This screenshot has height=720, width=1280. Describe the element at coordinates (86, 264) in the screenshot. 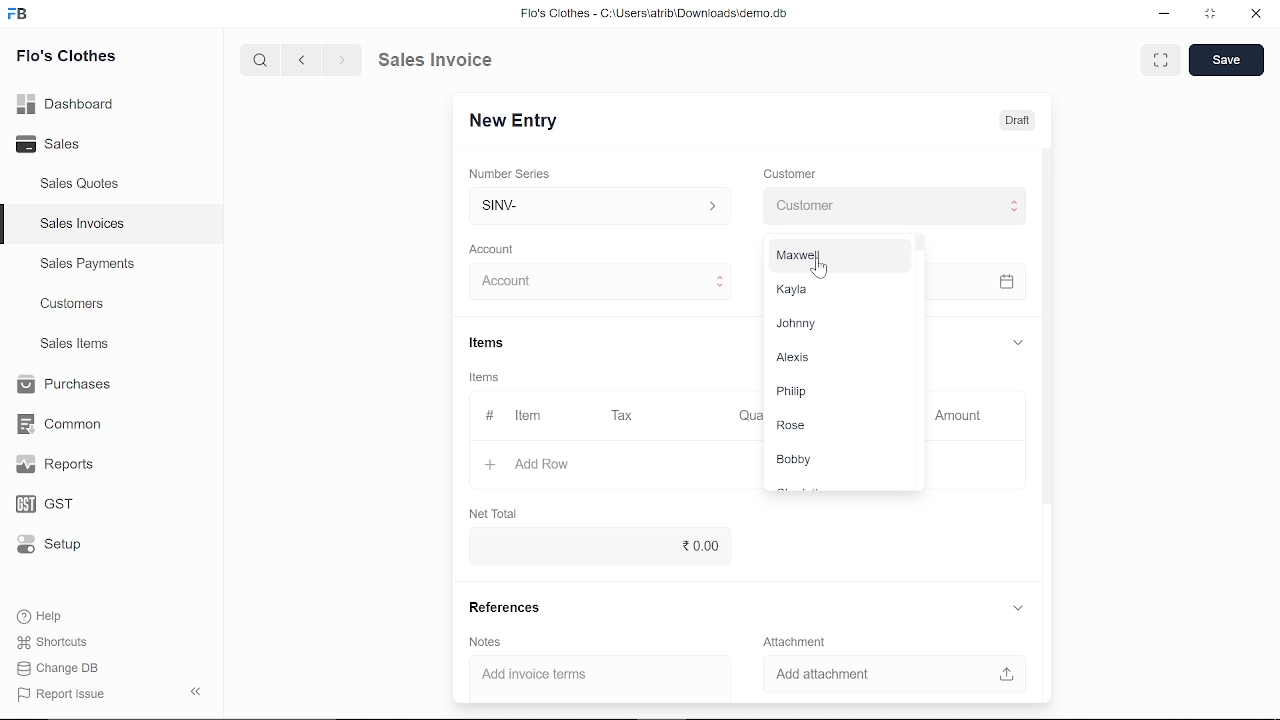

I see `Sales Payments.` at that location.